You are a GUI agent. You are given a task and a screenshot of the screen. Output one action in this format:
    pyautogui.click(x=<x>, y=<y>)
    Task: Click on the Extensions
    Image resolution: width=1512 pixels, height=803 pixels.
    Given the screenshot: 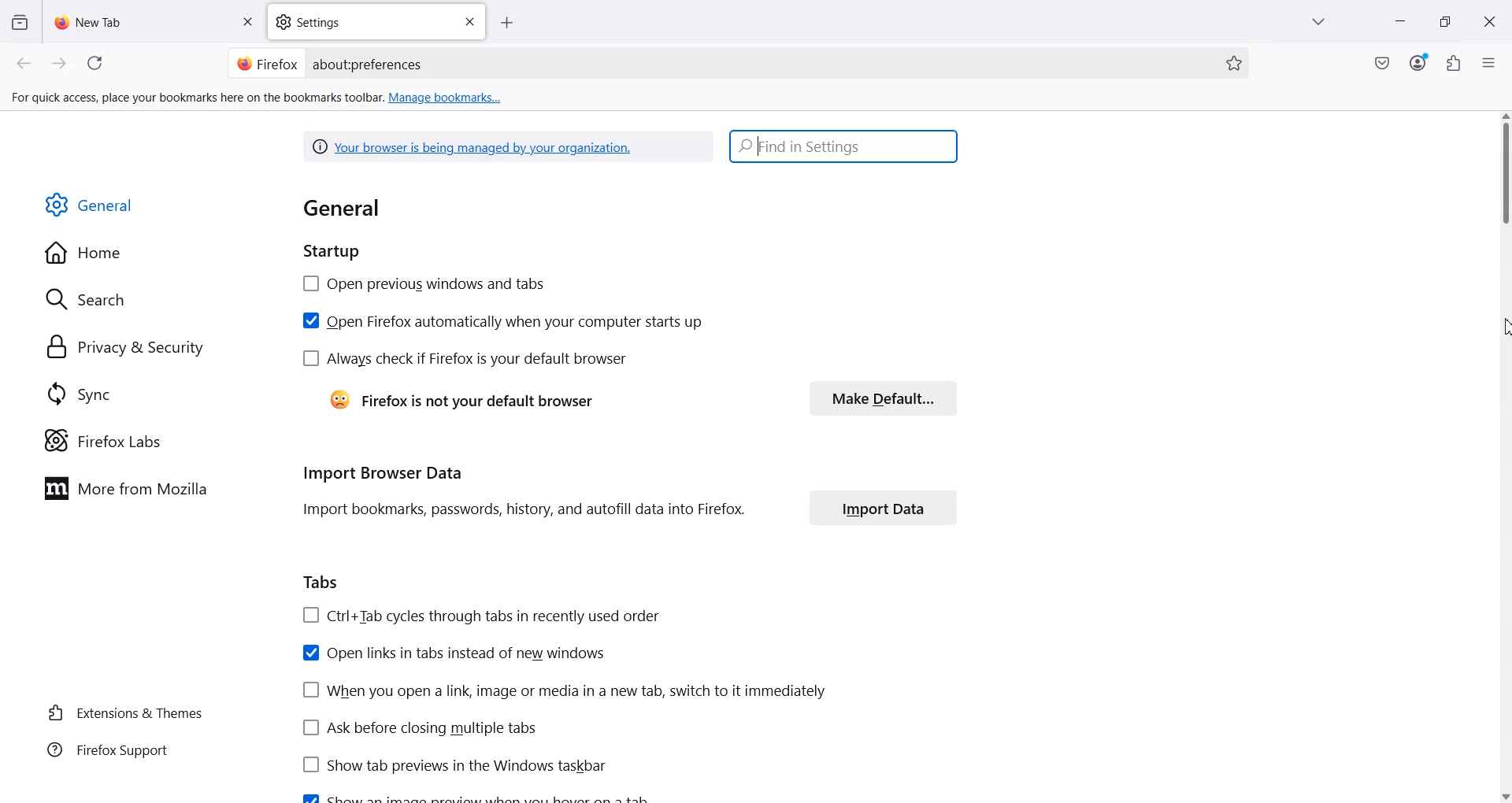 What is the action you would take?
    pyautogui.click(x=1455, y=63)
    